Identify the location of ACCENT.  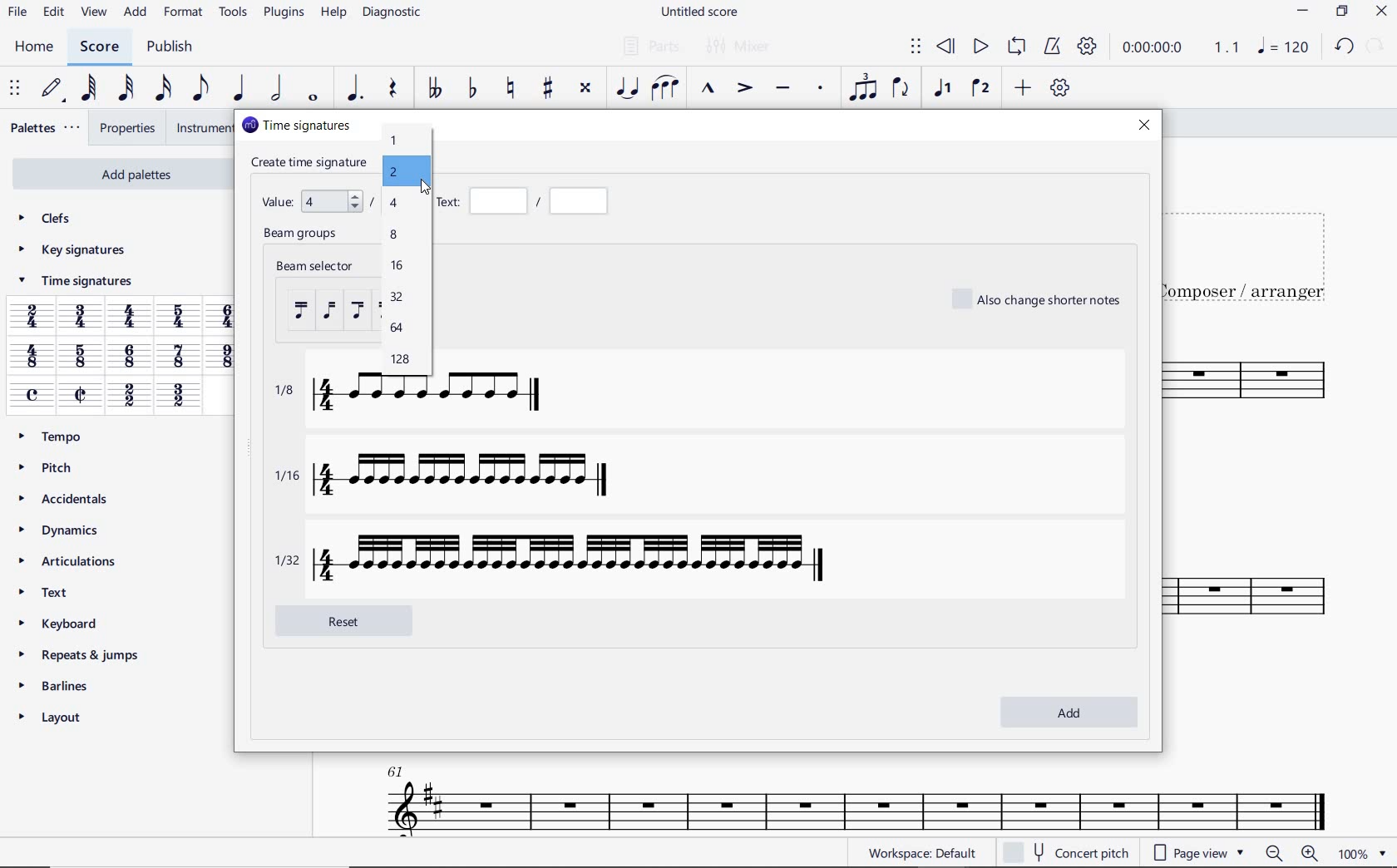
(744, 89).